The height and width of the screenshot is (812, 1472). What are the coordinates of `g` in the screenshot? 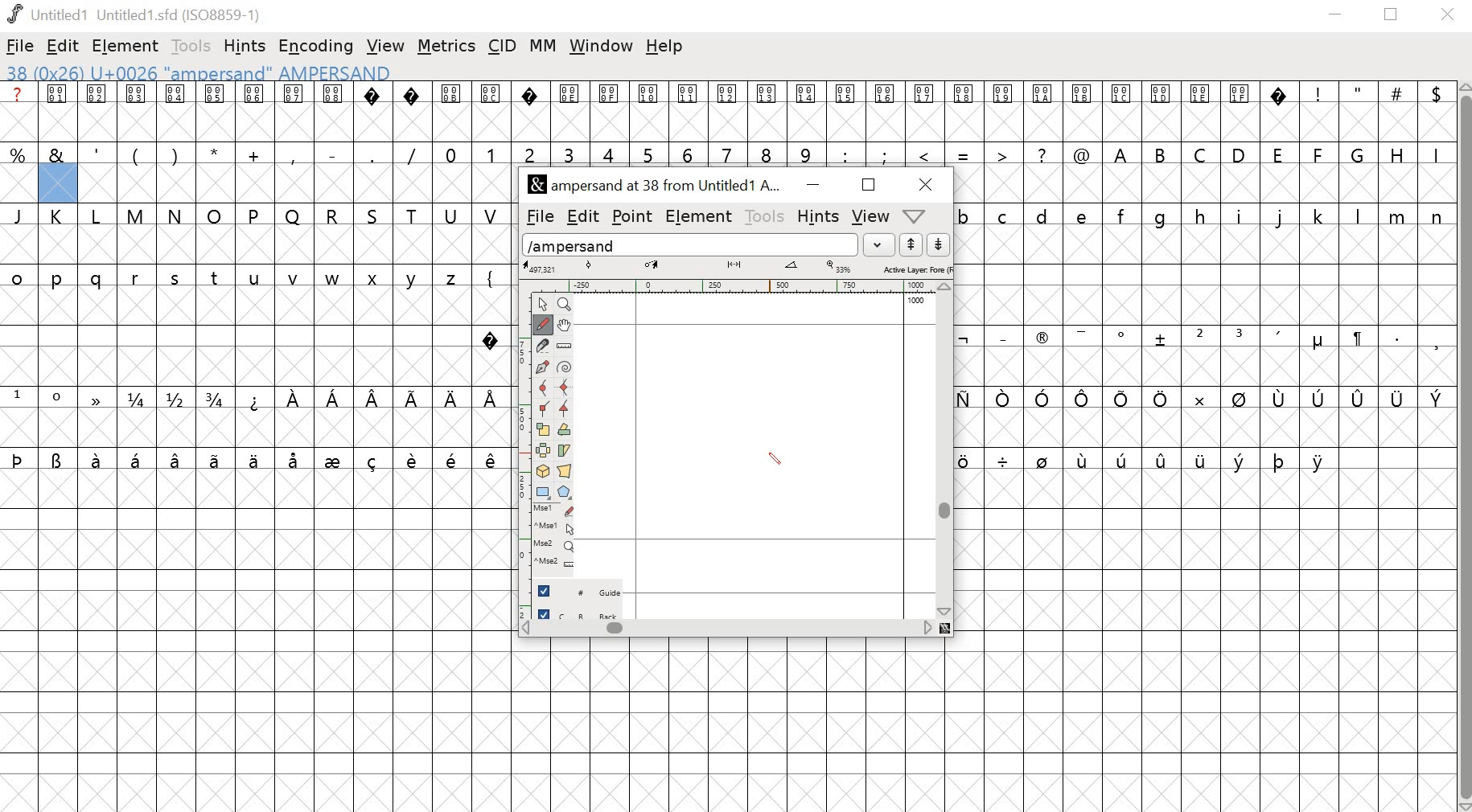 It's located at (1165, 216).